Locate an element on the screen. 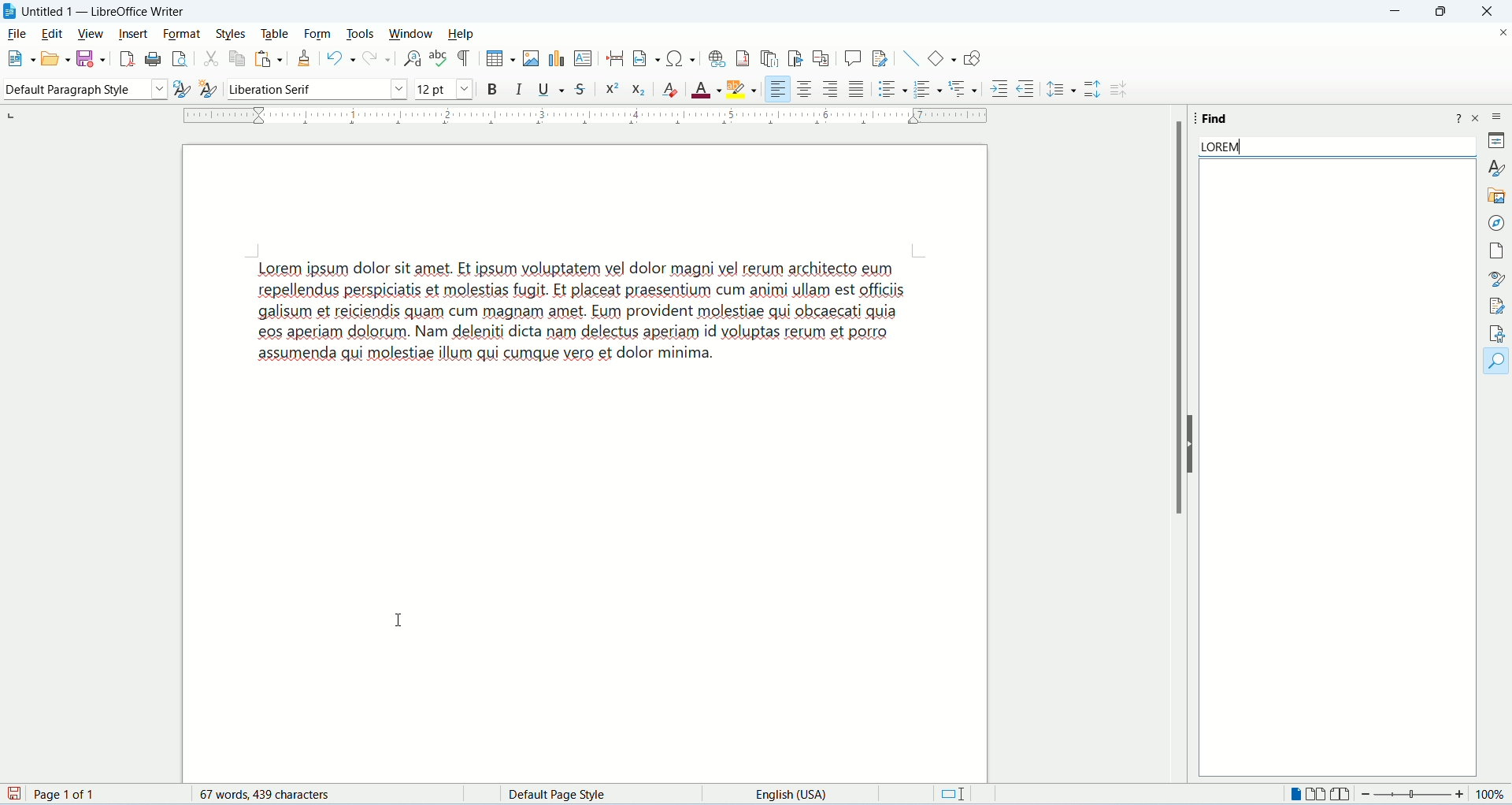  clone formatting is located at coordinates (306, 58).